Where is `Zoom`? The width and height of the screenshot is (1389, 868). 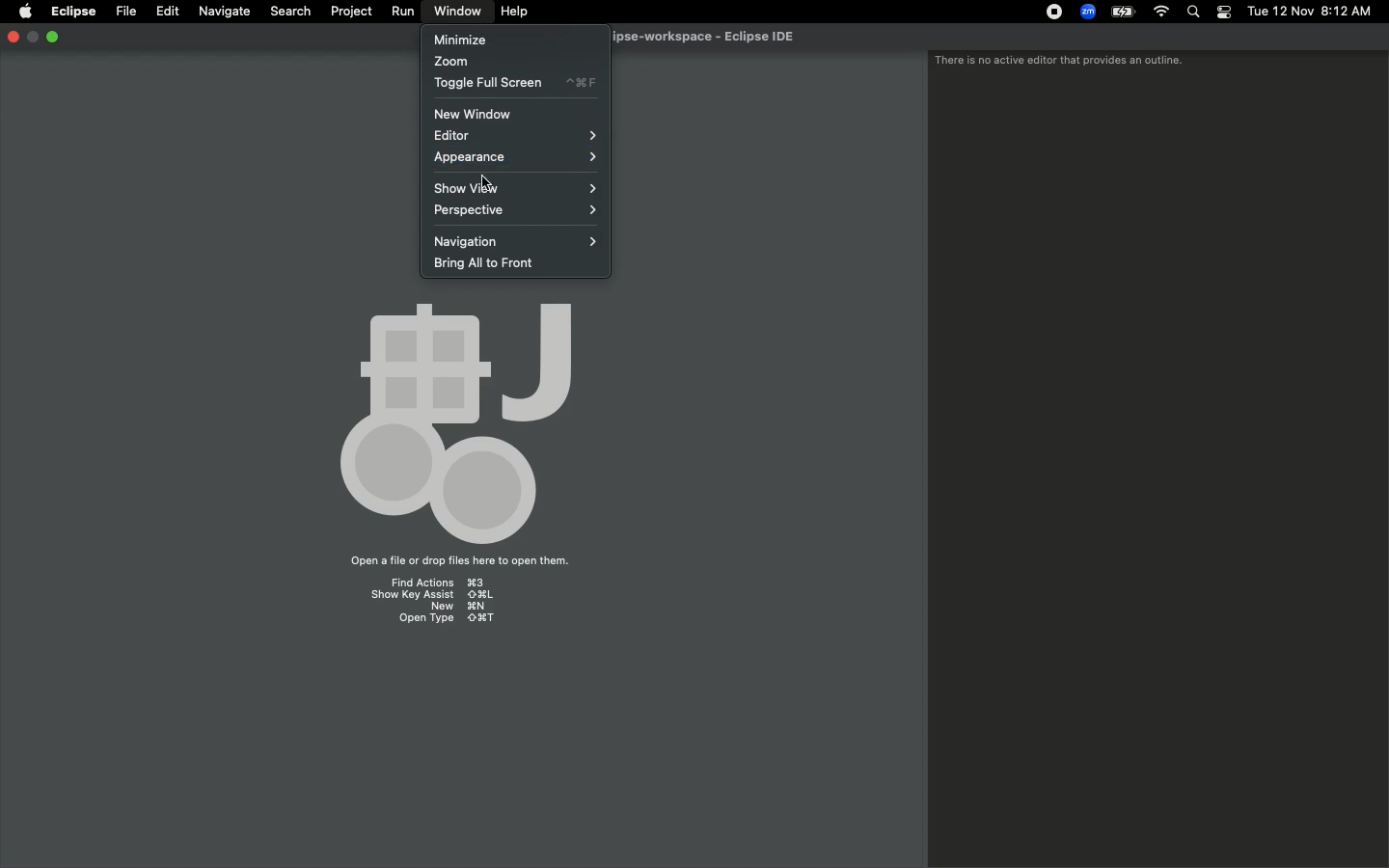 Zoom is located at coordinates (1085, 12).